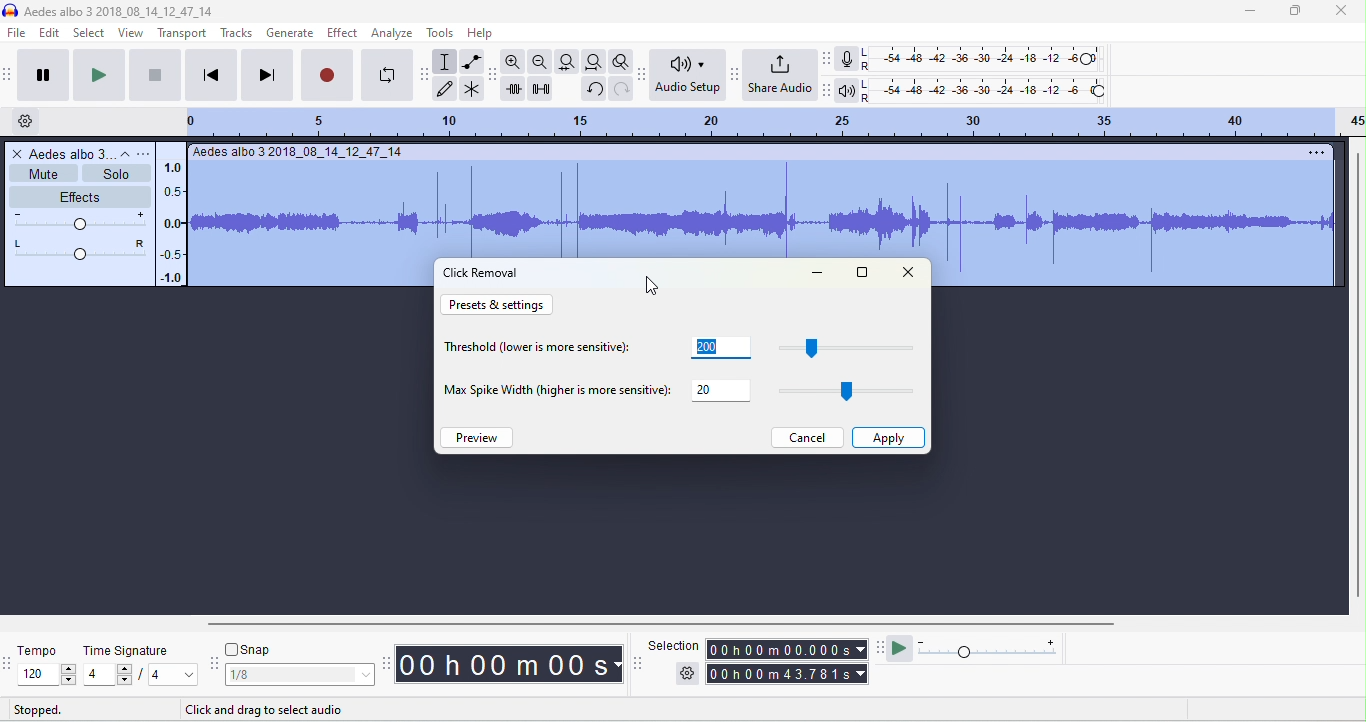 The image size is (1366, 722). I want to click on cancel, so click(806, 437).